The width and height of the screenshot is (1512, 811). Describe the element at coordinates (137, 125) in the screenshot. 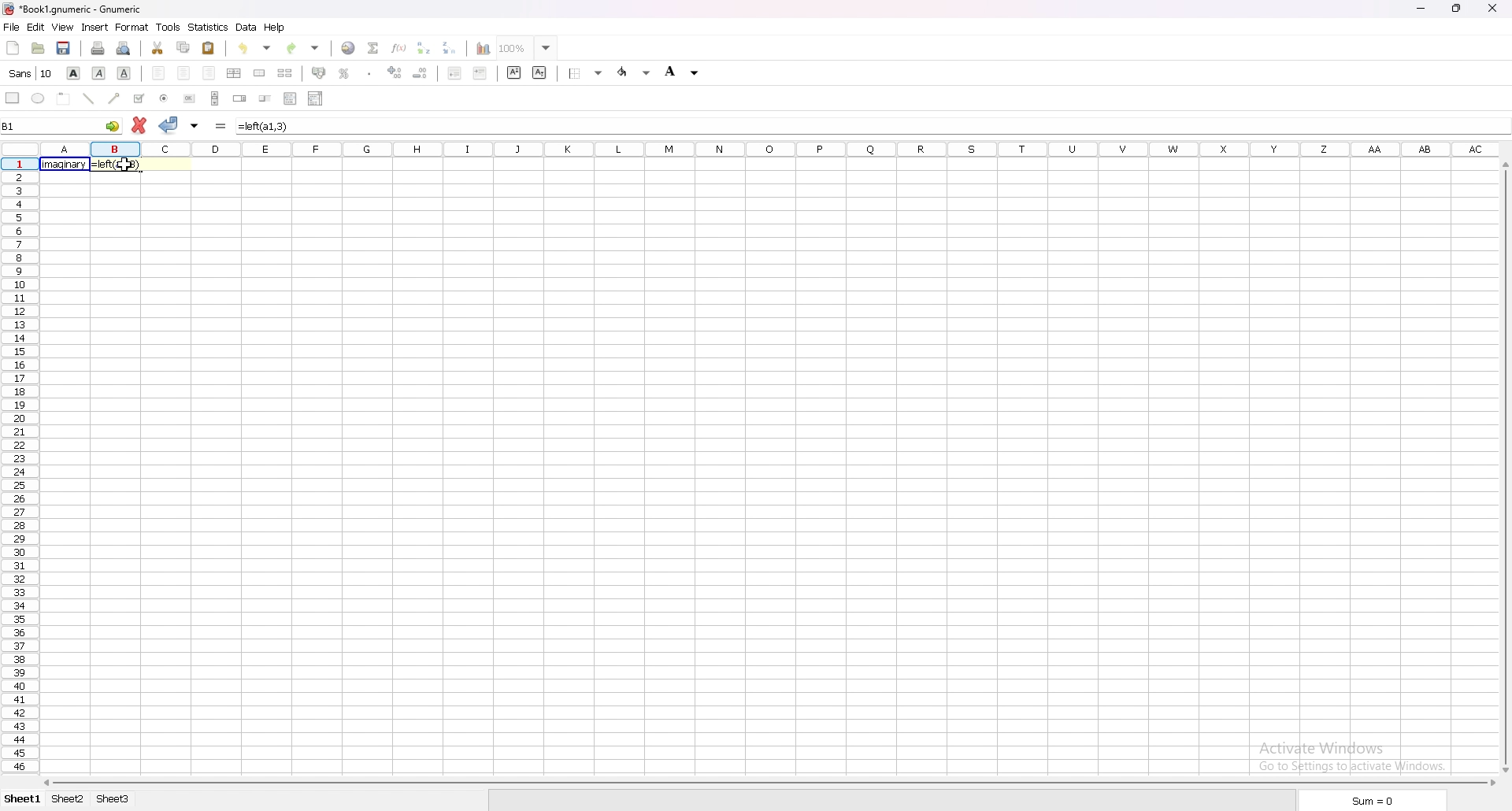

I see `cancel changes` at that location.